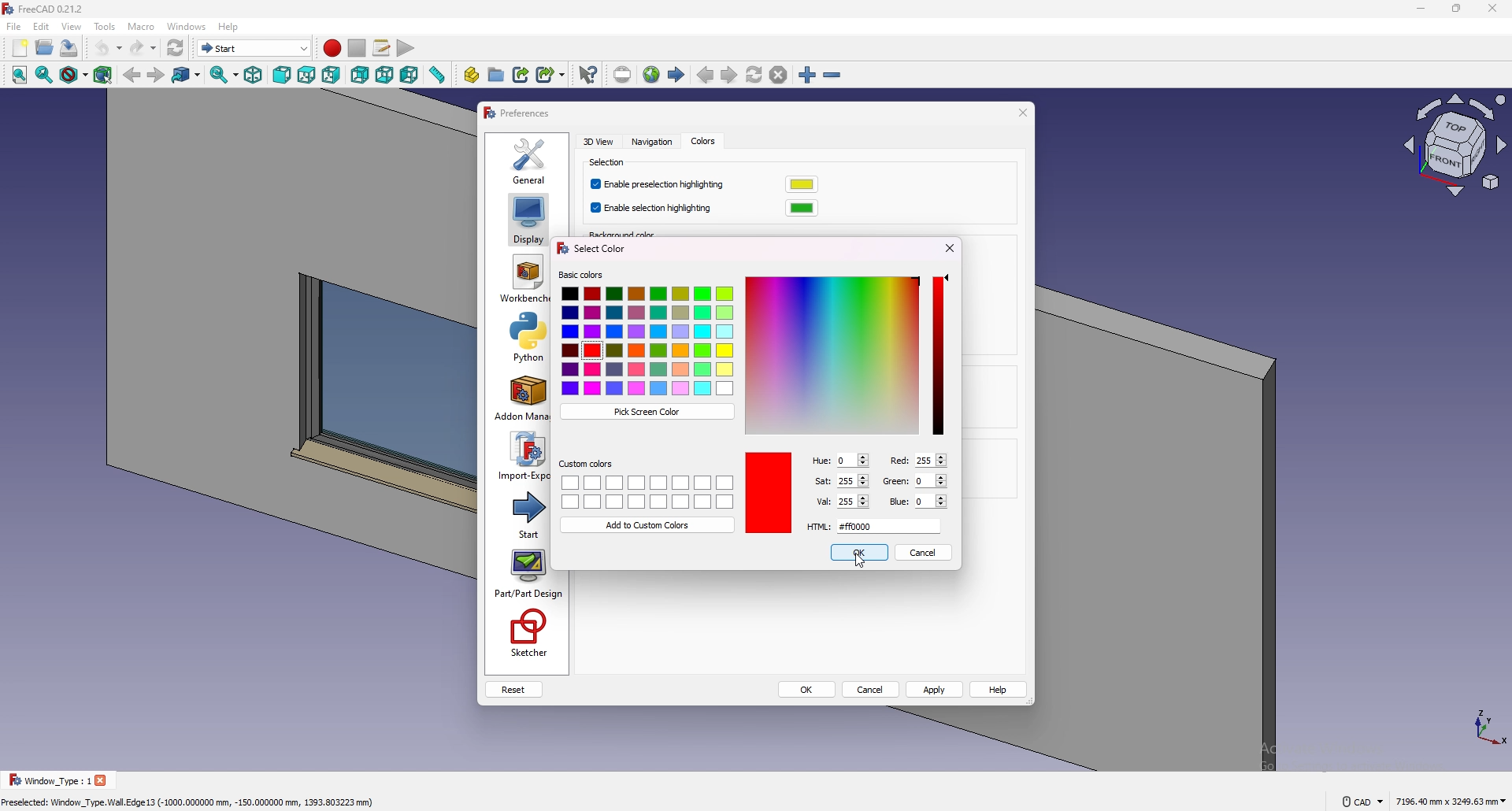  What do you see at coordinates (802, 184) in the screenshot?
I see `preselection highlighting color` at bounding box center [802, 184].